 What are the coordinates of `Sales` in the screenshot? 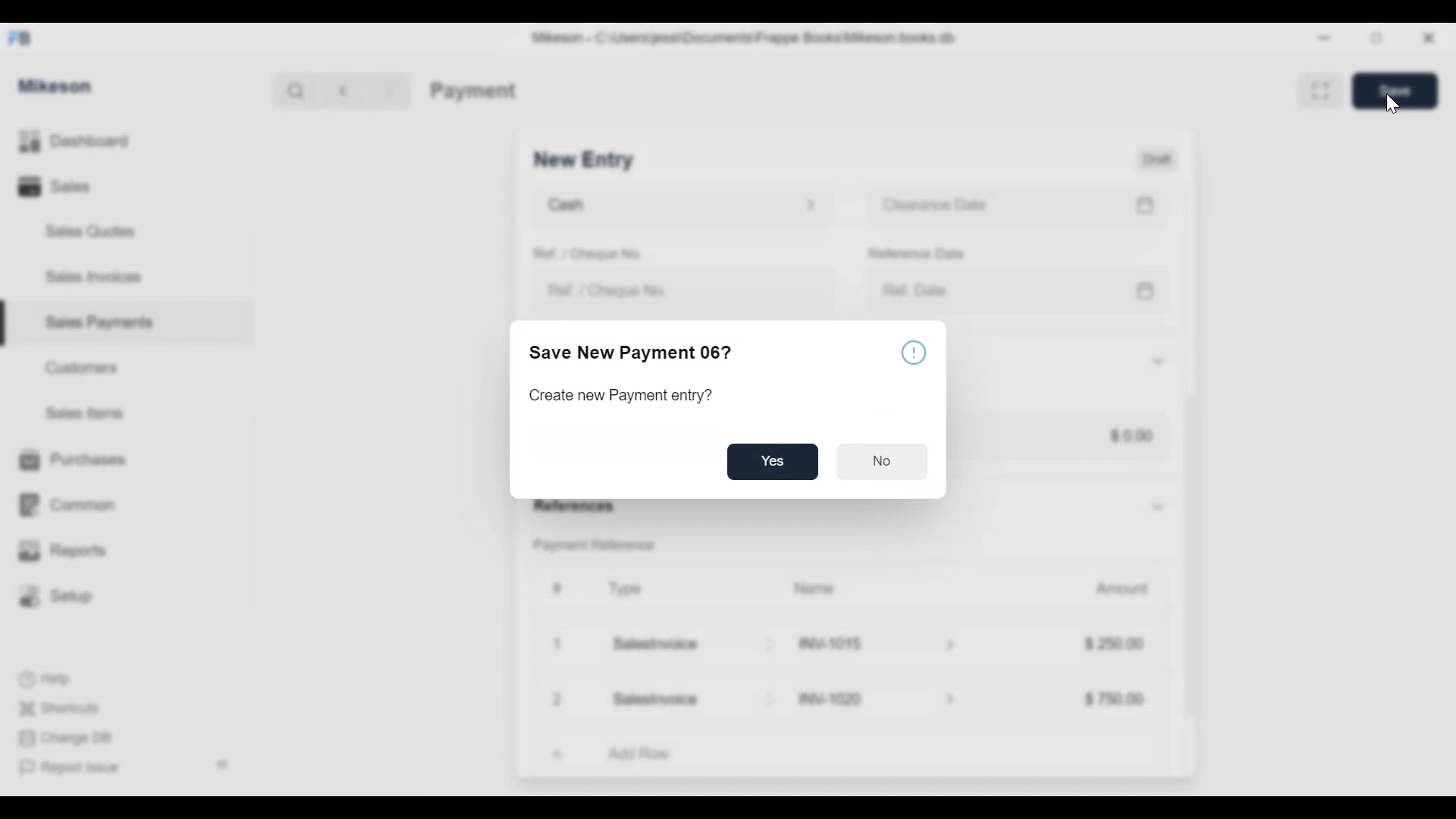 It's located at (53, 188).